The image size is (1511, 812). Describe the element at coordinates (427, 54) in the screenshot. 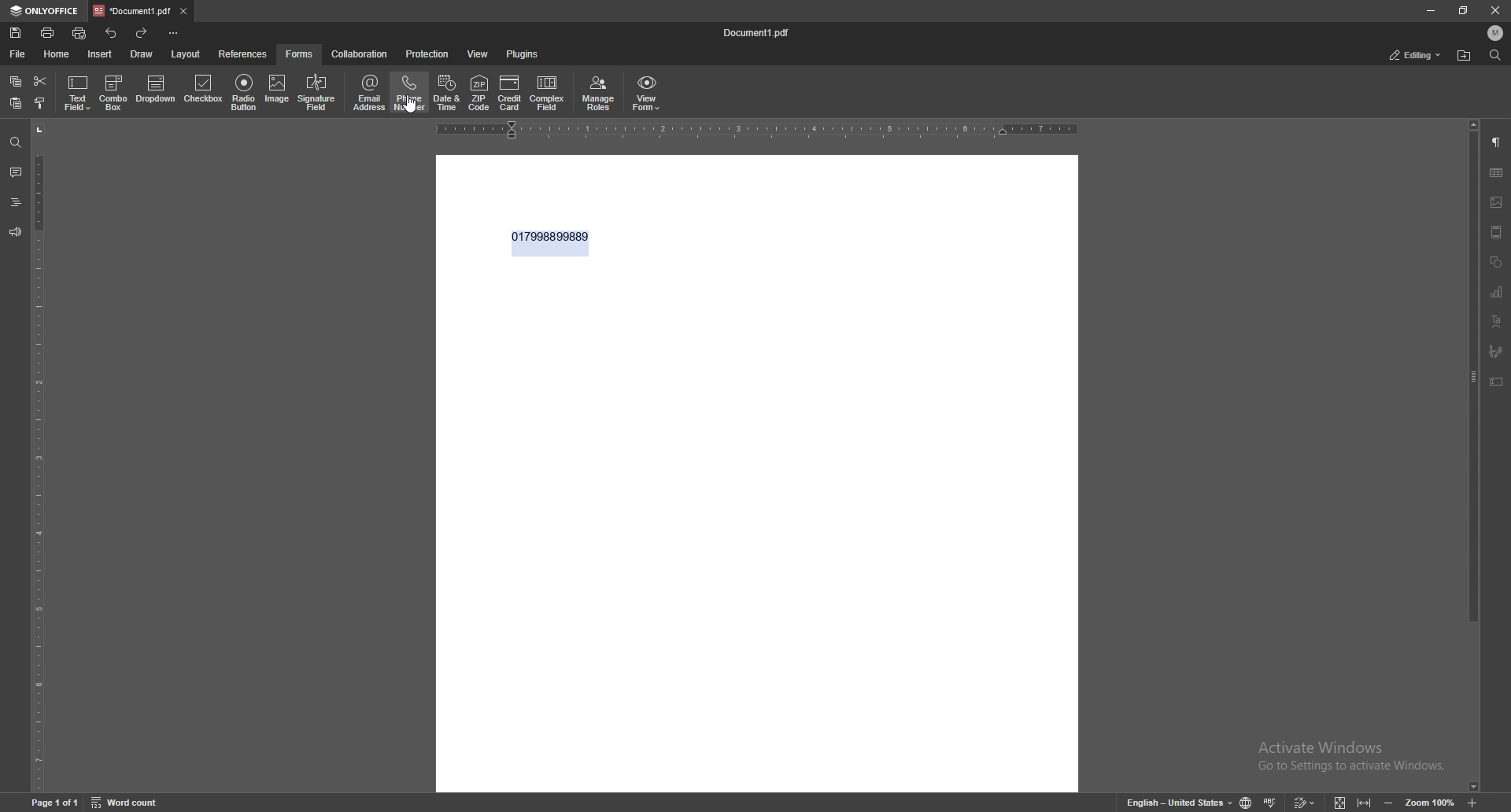

I see `protection` at that location.